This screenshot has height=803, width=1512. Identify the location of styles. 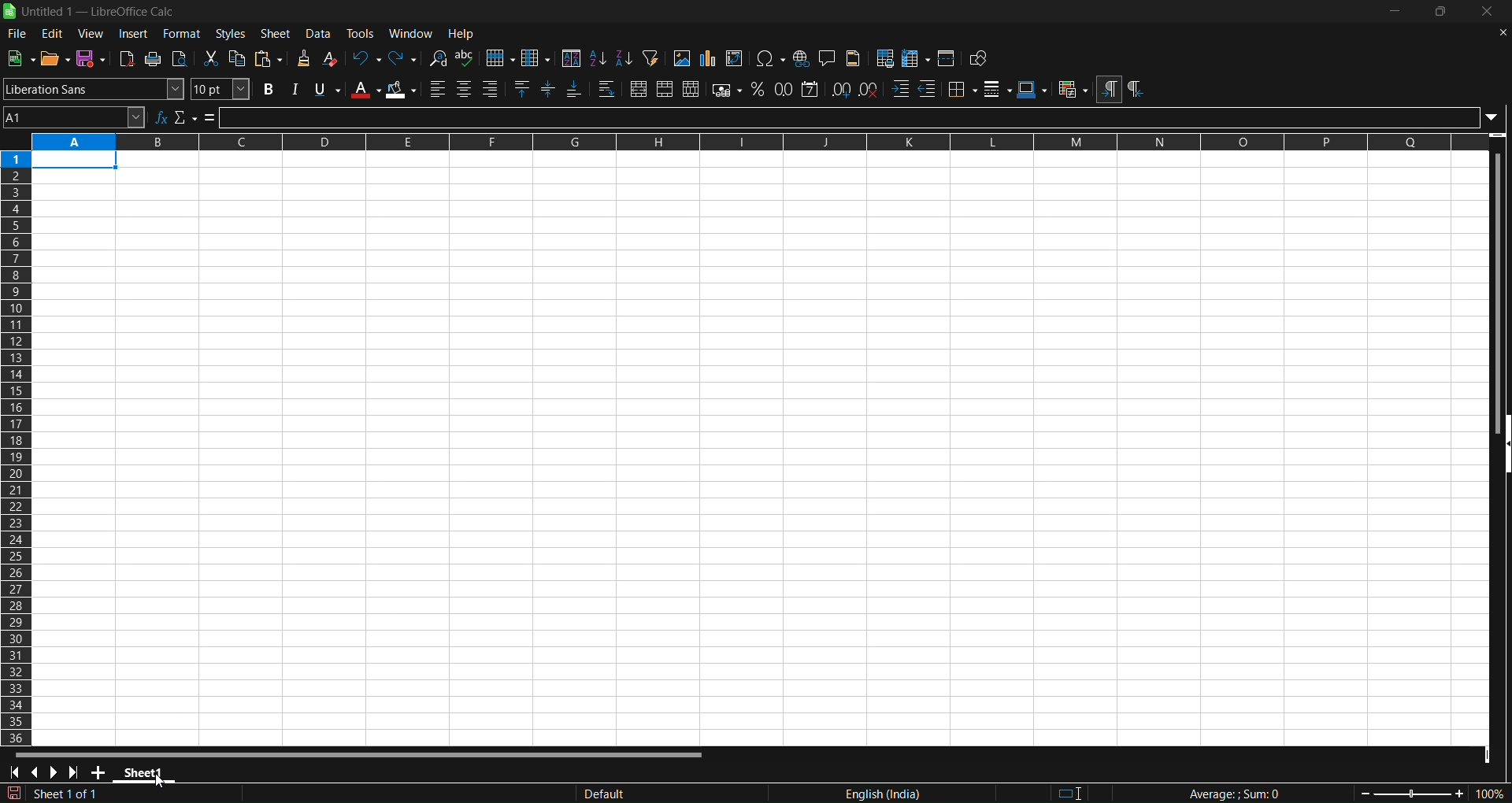
(231, 33).